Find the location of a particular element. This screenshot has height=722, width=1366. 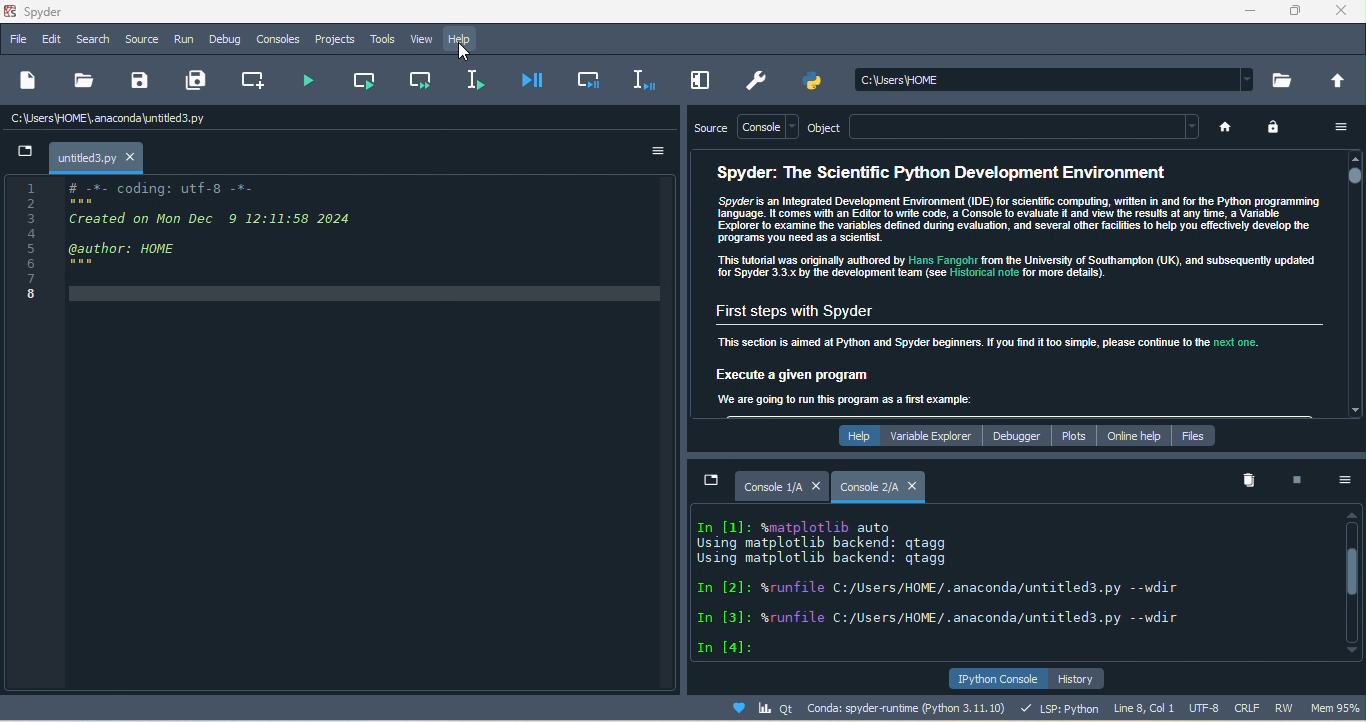

pythonpath manager is located at coordinates (816, 83).